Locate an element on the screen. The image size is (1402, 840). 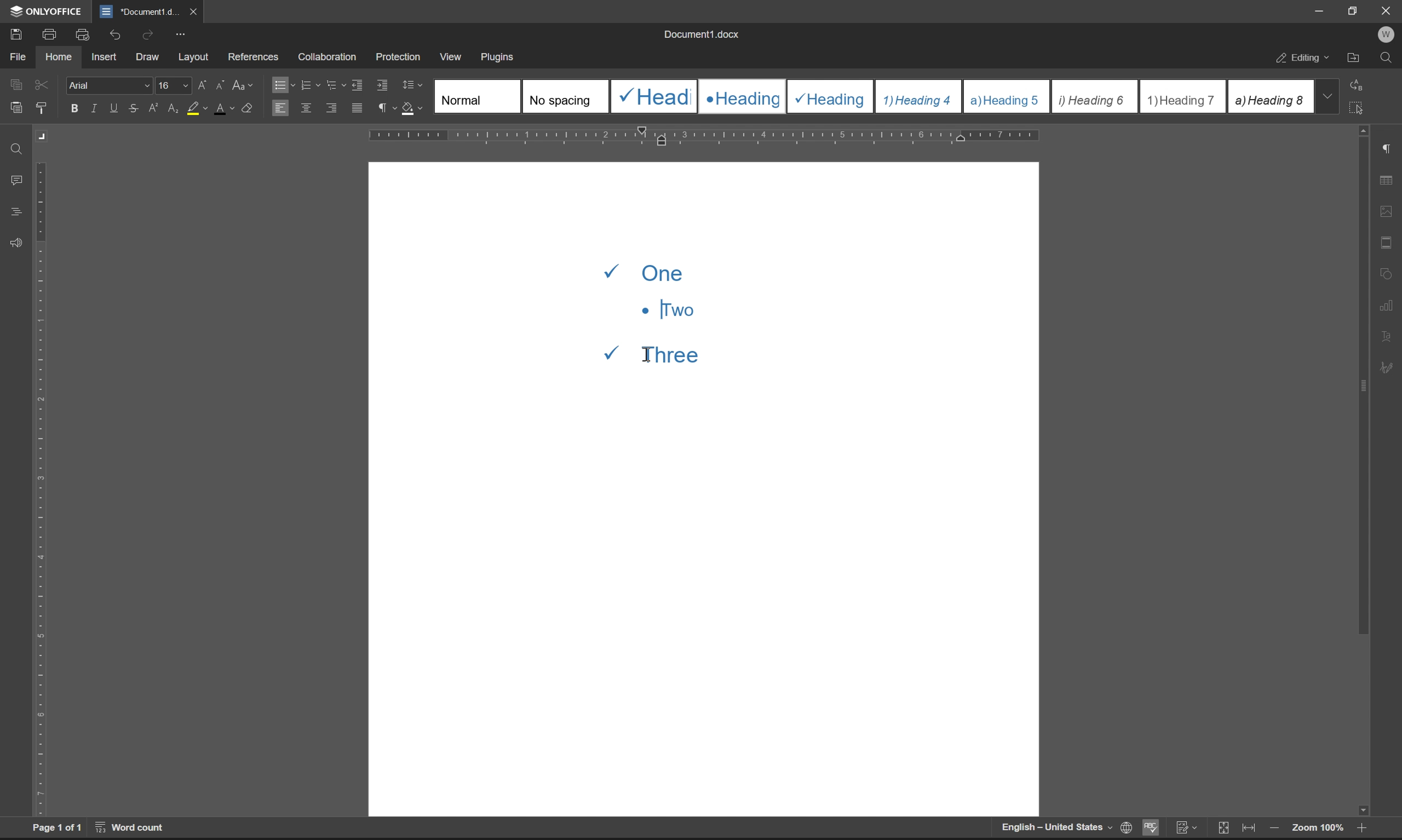
Heading 5 is located at coordinates (1007, 96).